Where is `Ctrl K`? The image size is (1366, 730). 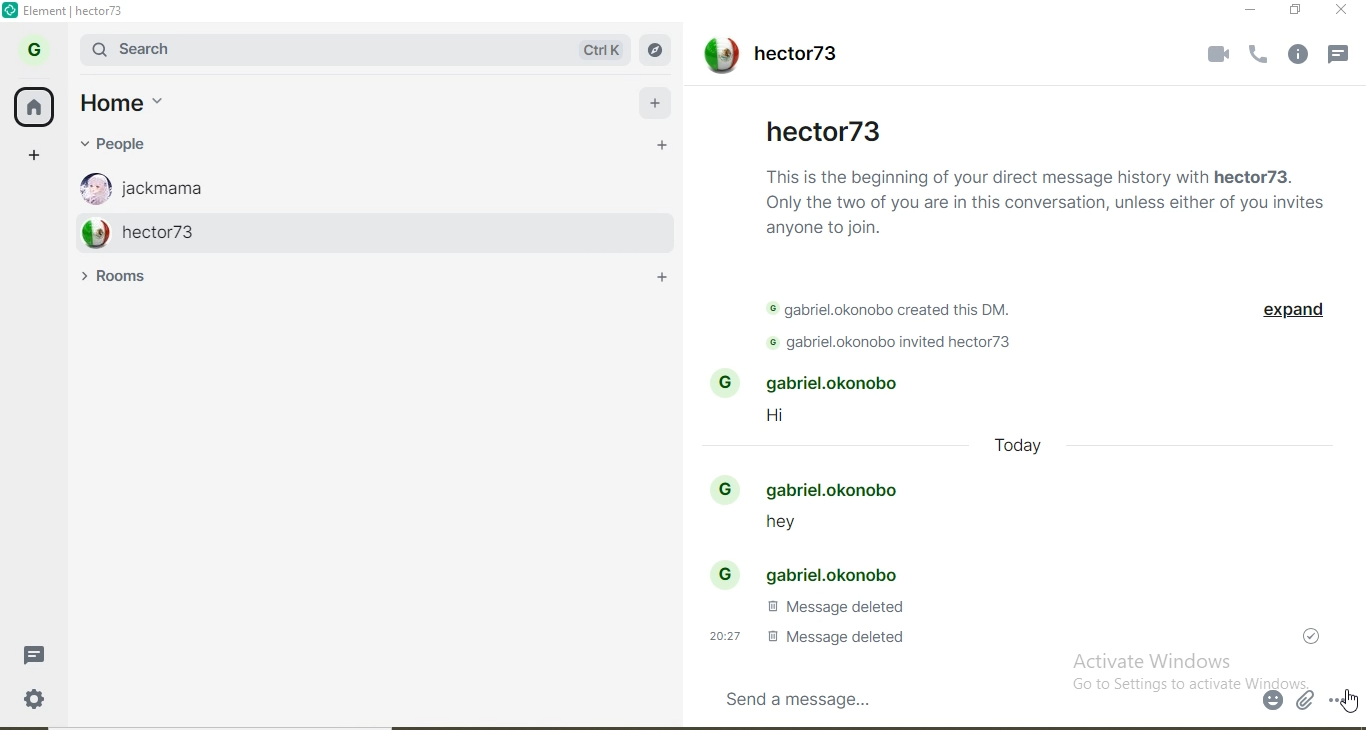 Ctrl K is located at coordinates (602, 50).